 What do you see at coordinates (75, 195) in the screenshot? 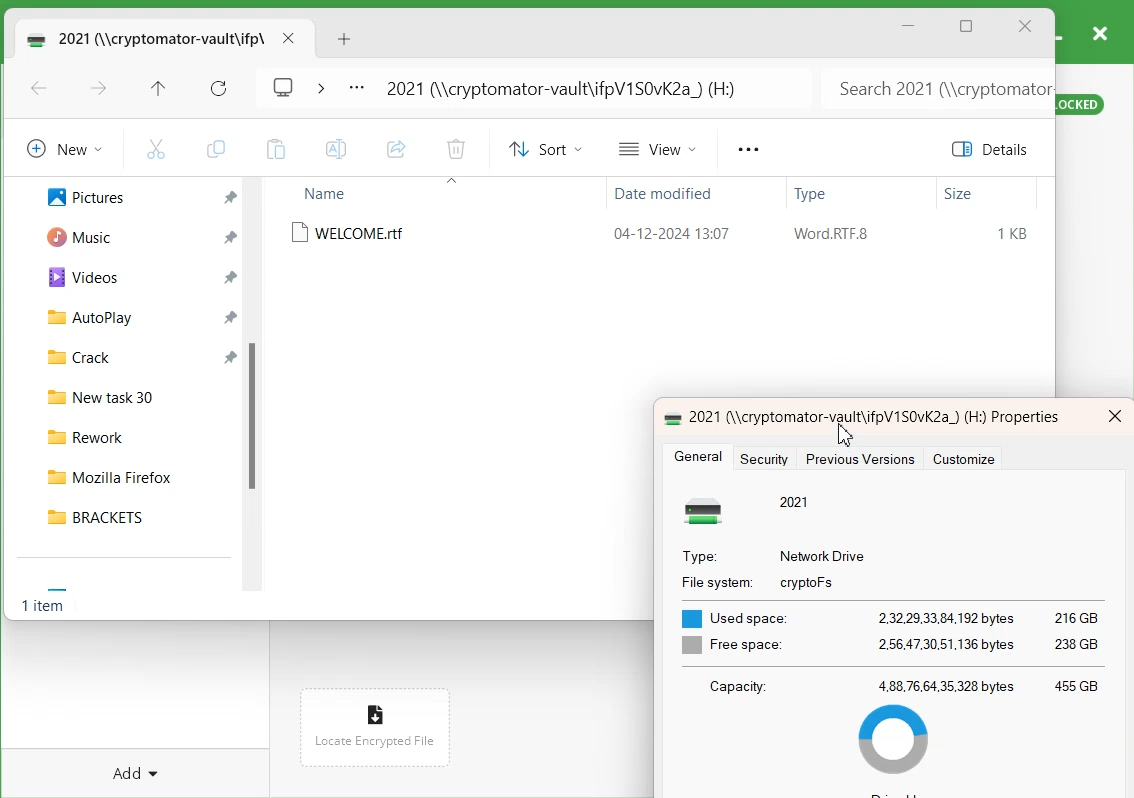
I see `Pictures` at bounding box center [75, 195].